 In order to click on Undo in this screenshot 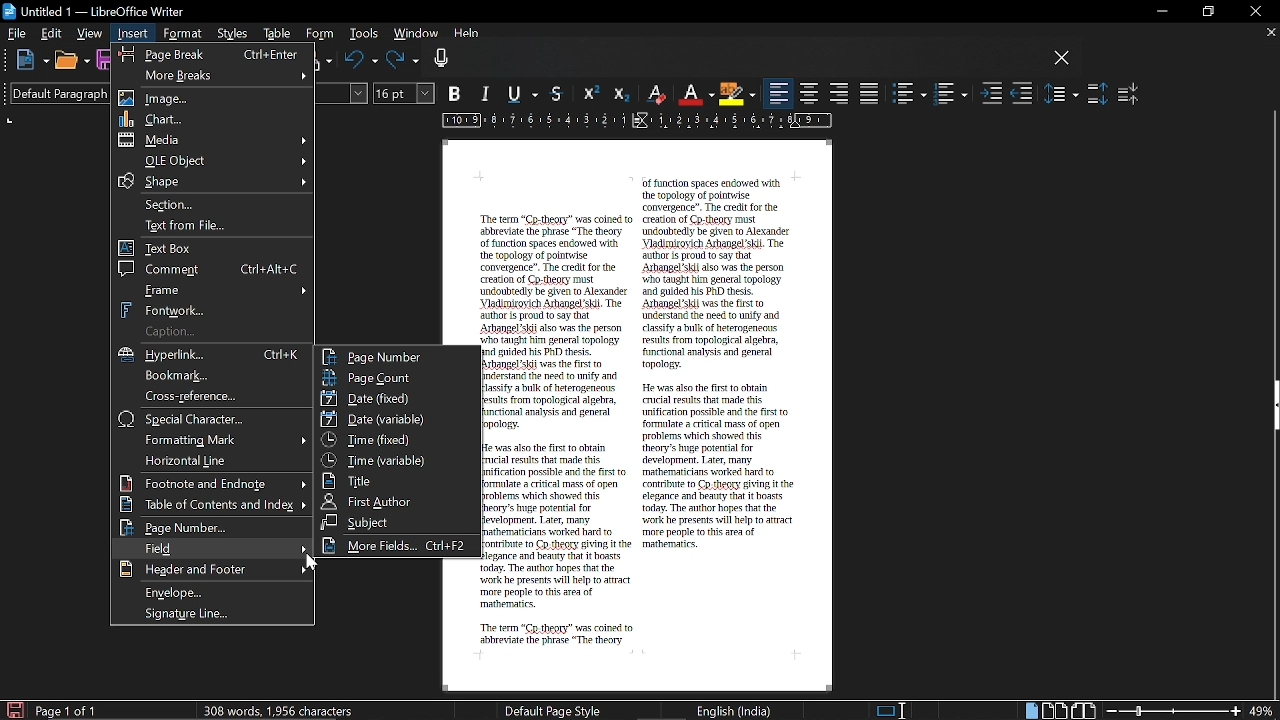, I will do `click(361, 61)`.